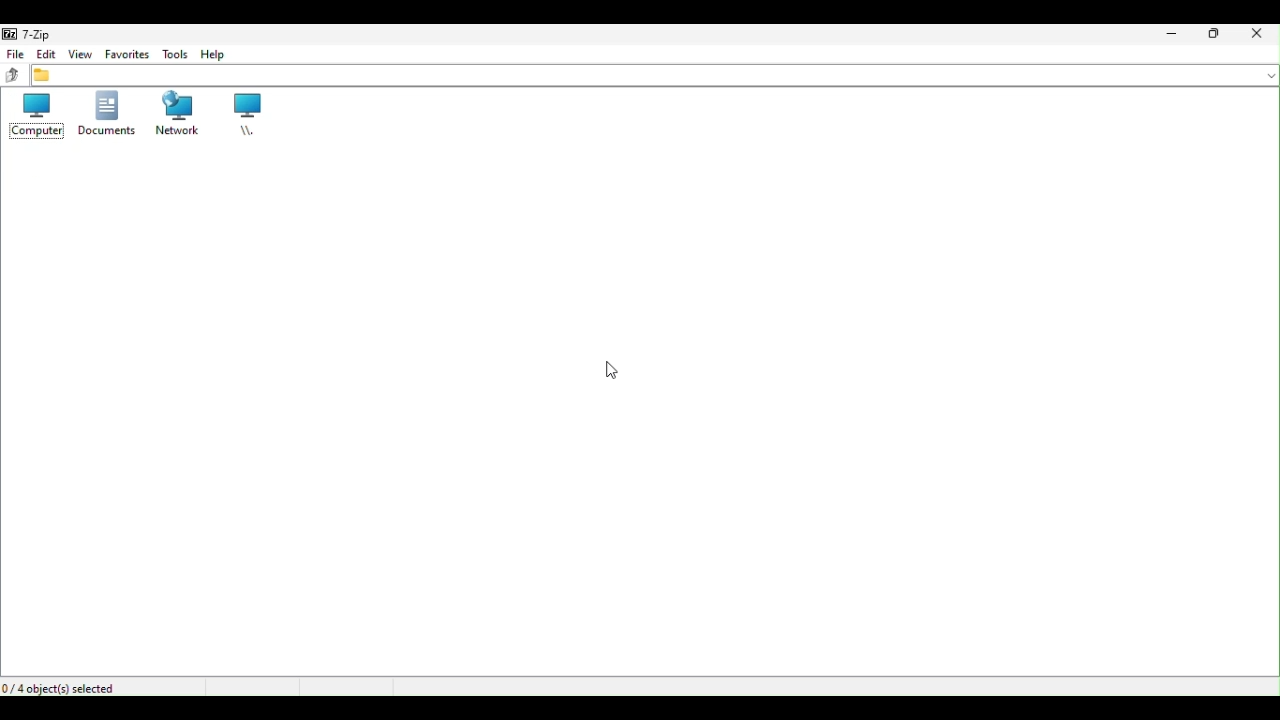 The image size is (1280, 720). Describe the element at coordinates (175, 56) in the screenshot. I see `Tools` at that location.